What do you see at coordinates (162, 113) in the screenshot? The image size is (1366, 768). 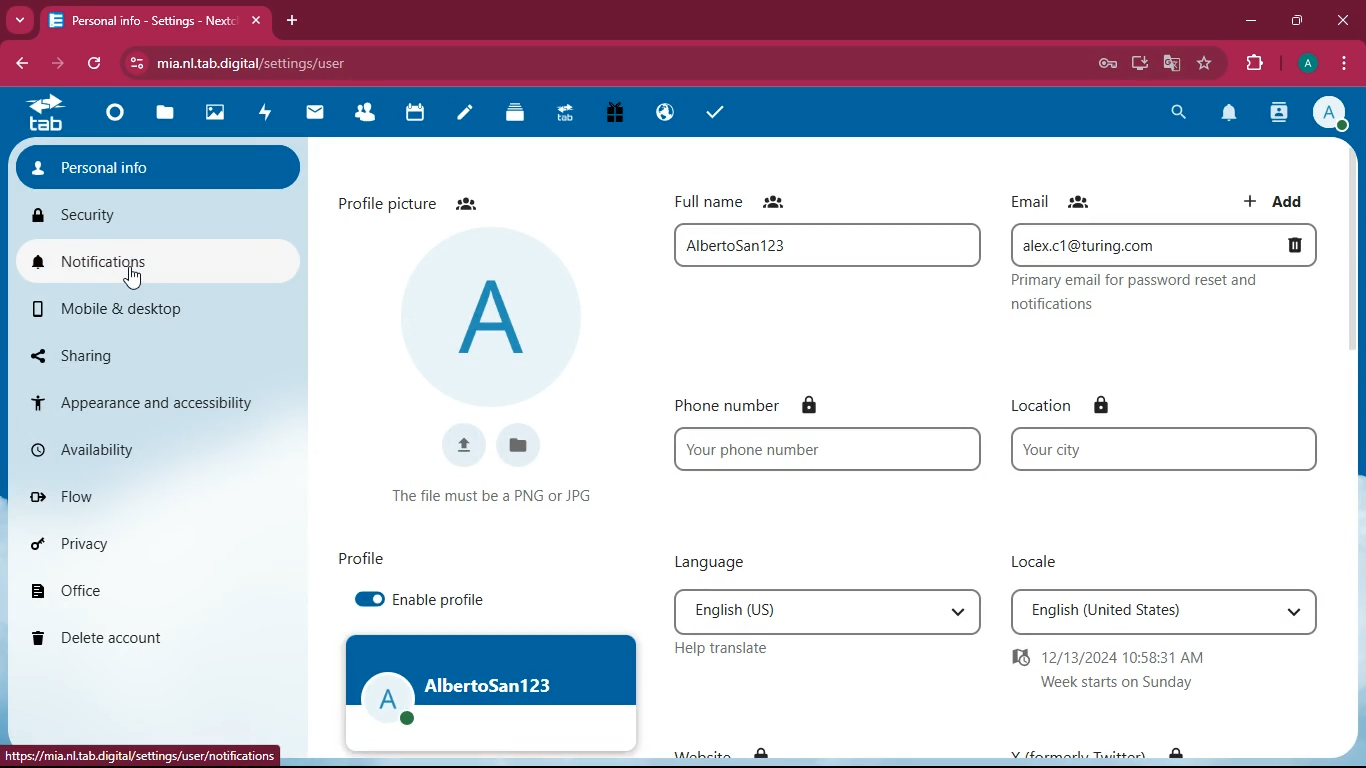 I see `file` at bounding box center [162, 113].